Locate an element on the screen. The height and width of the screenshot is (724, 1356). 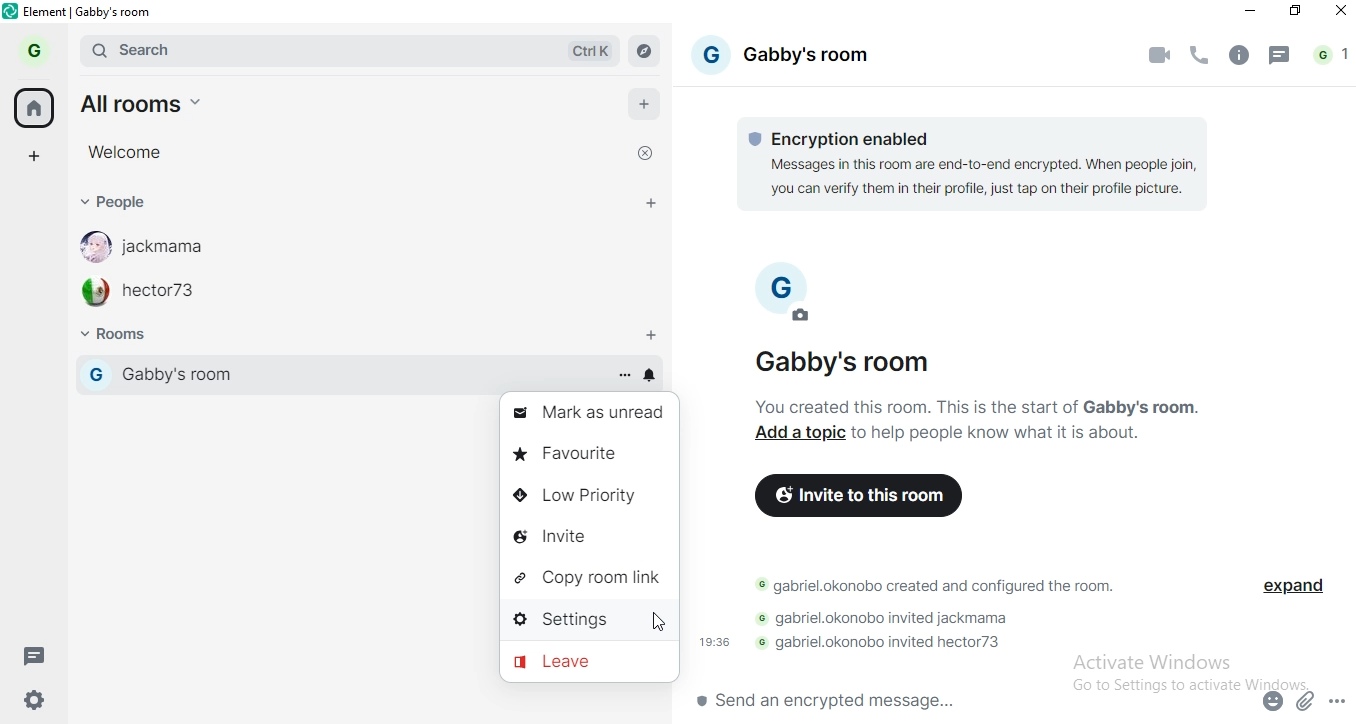
emoji is located at coordinates (1274, 698).